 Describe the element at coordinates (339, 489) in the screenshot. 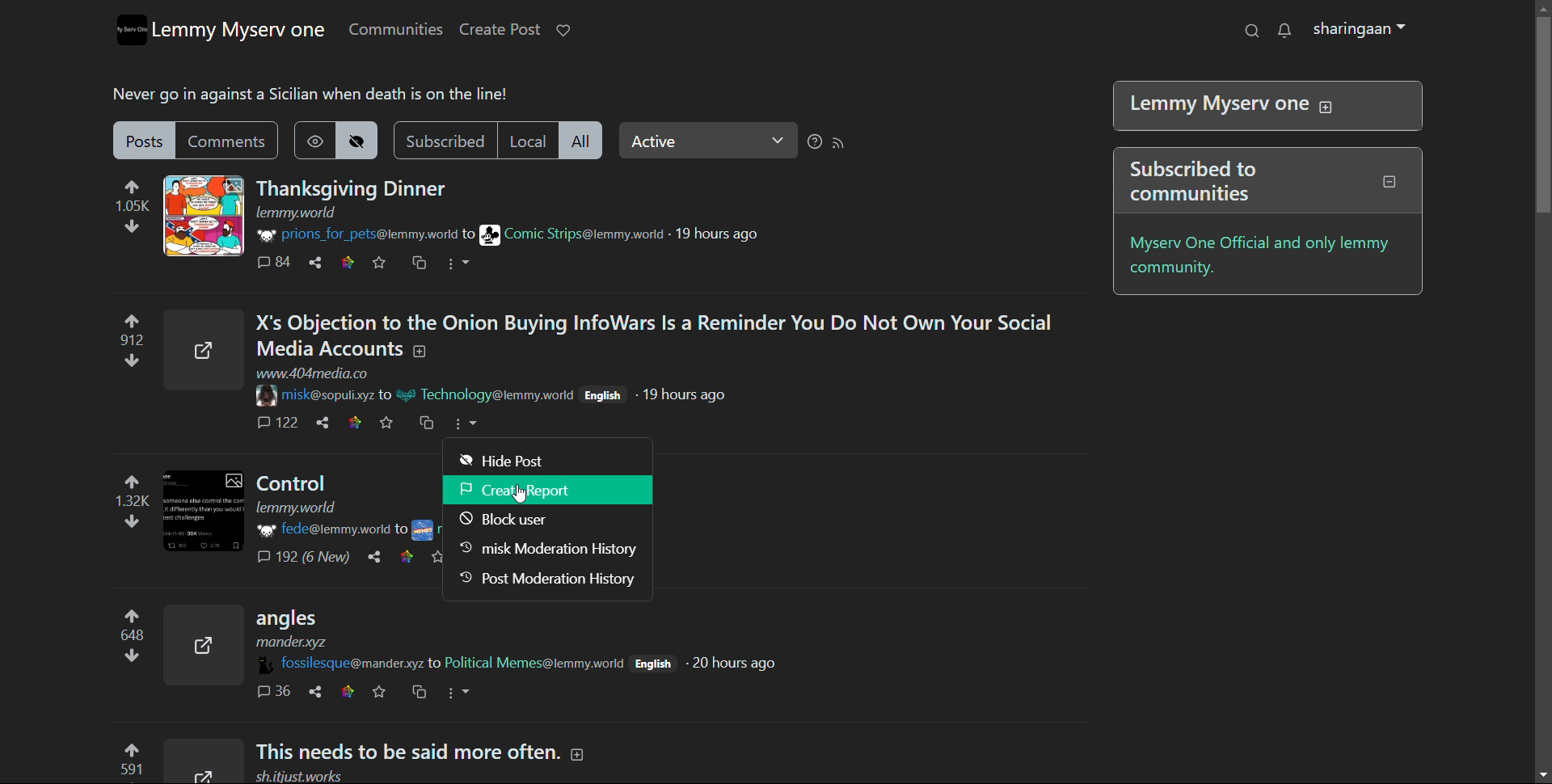

I see `post on "Control"` at that location.